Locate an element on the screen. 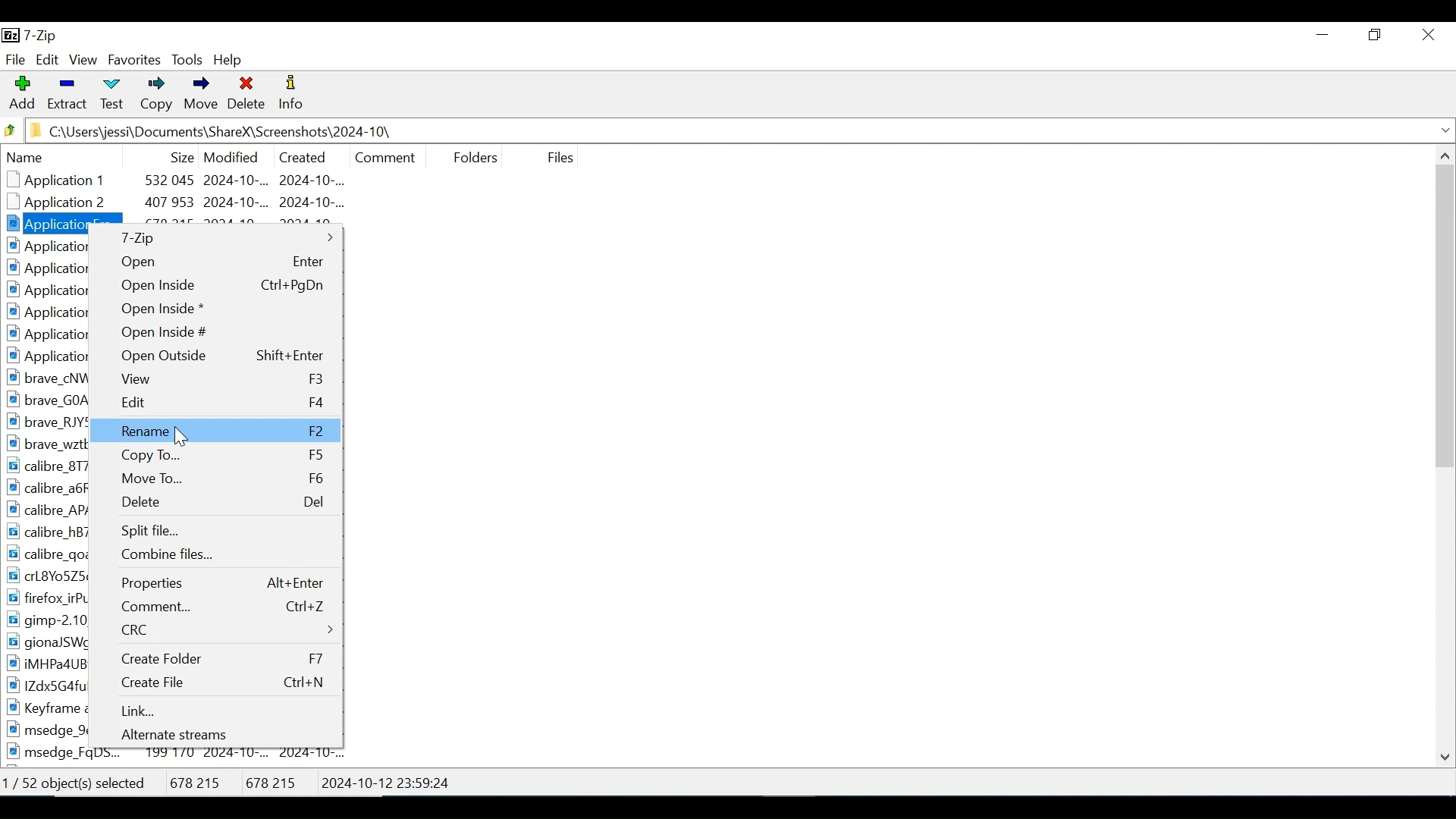 The image size is (1456, 819). Rename is located at coordinates (215, 429).